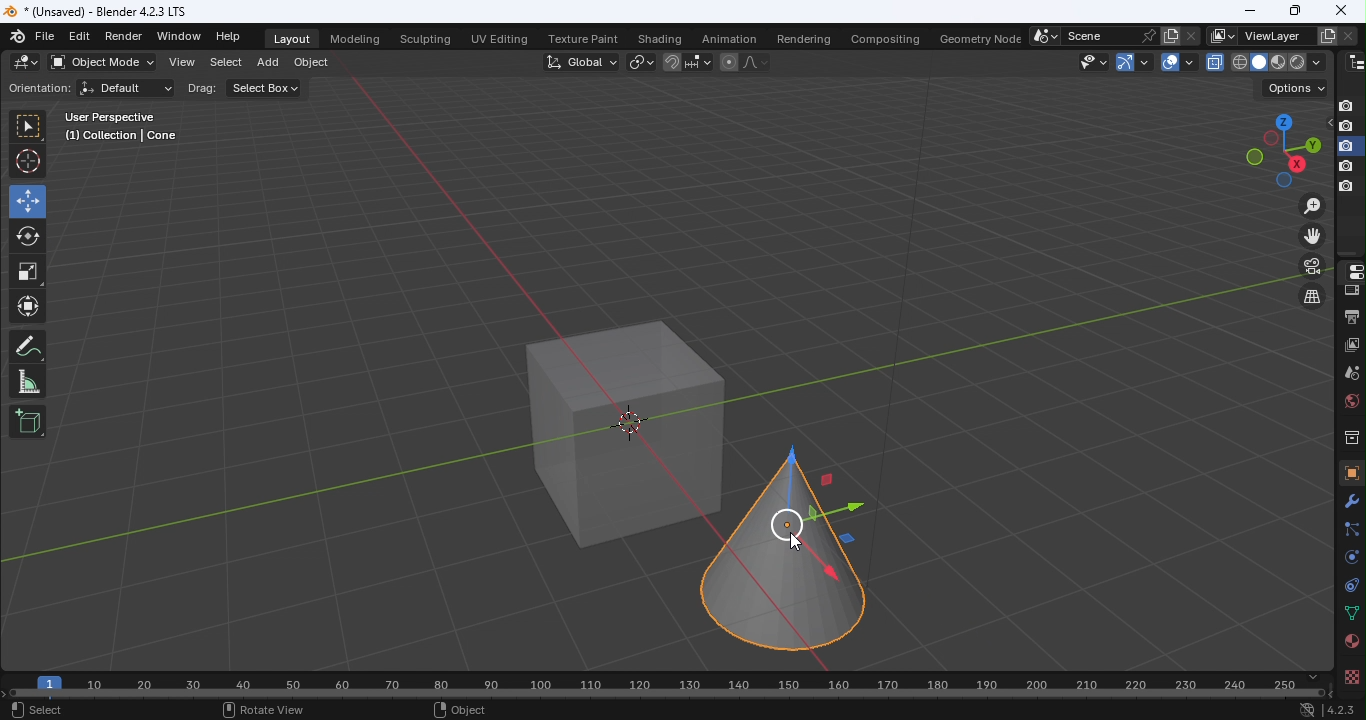 This screenshot has width=1366, height=720. I want to click on Disable in renders , so click(1346, 105).